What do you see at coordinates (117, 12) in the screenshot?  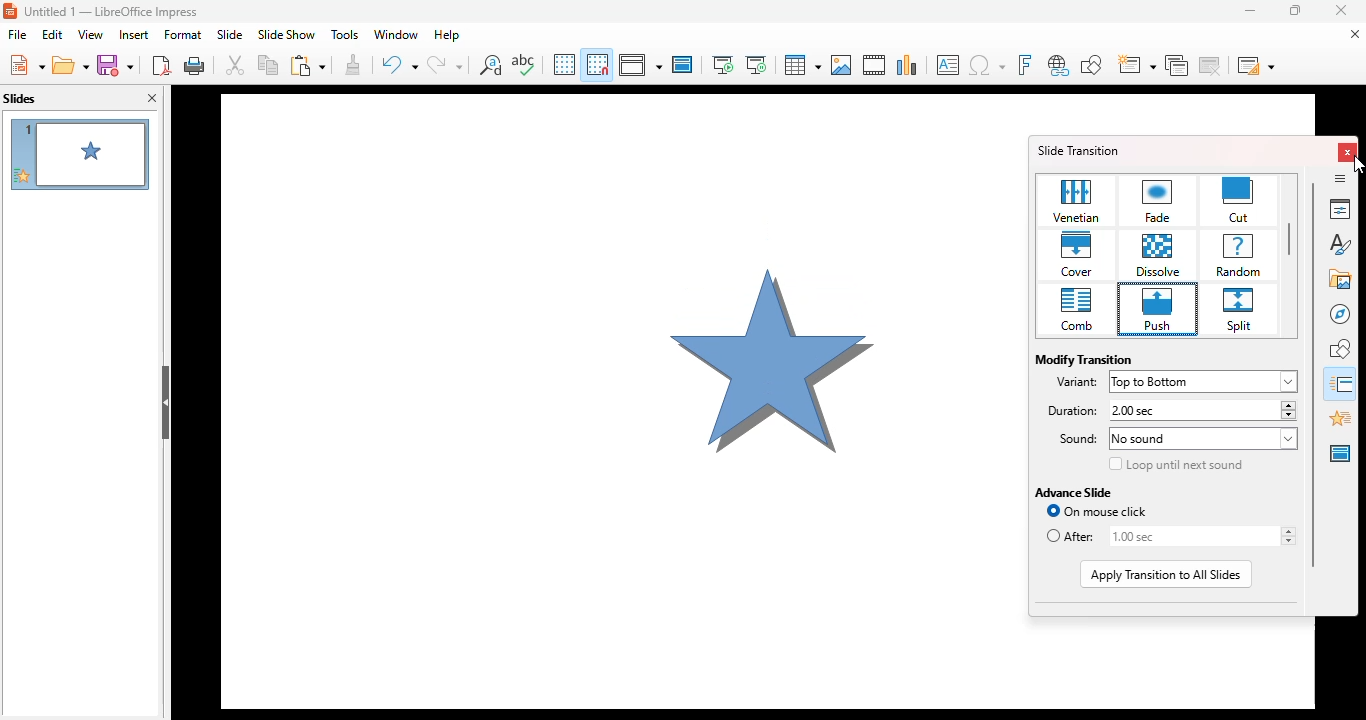 I see `Untitled 1 — LibreOffice Impress` at bounding box center [117, 12].